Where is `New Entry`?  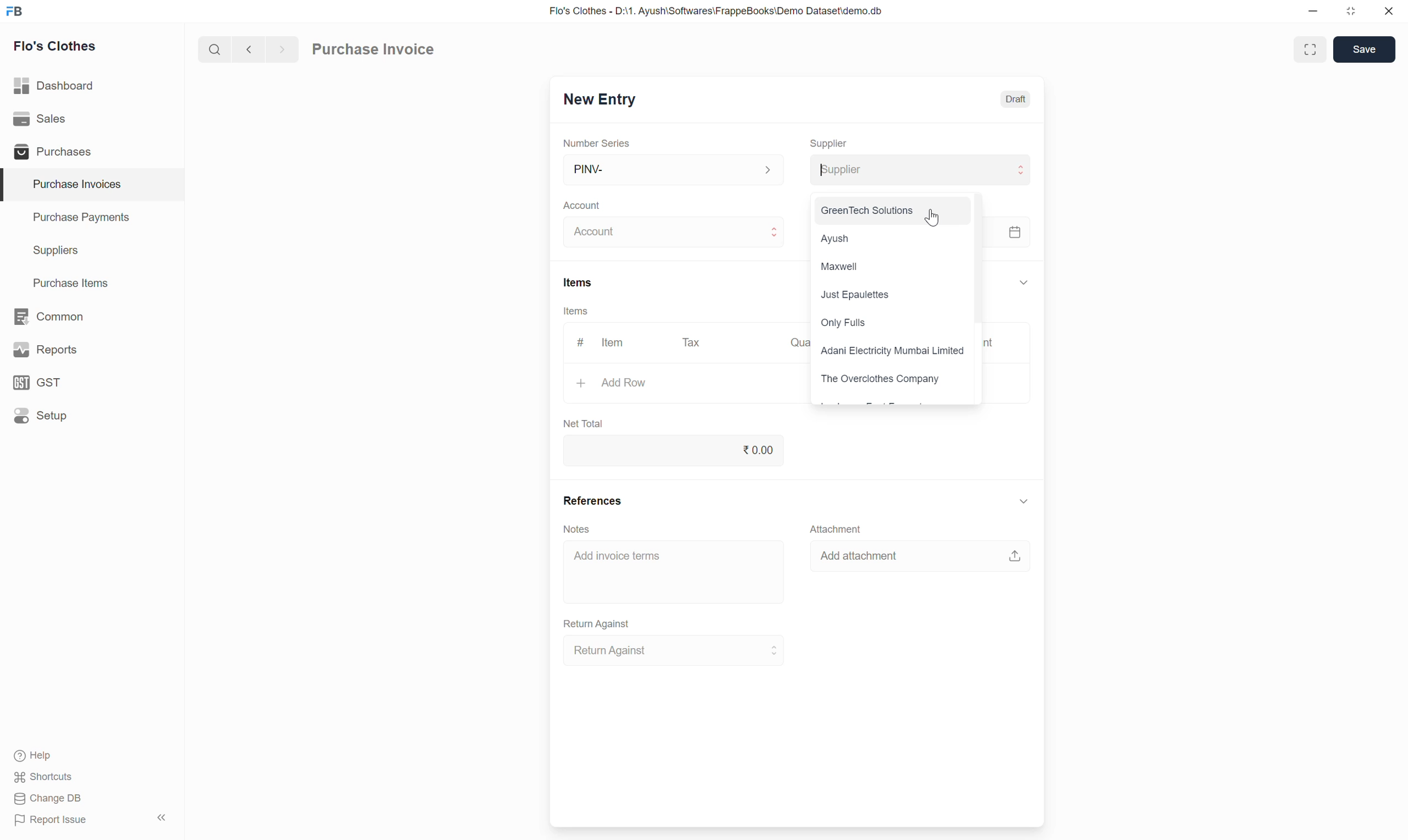
New Entry is located at coordinates (600, 100).